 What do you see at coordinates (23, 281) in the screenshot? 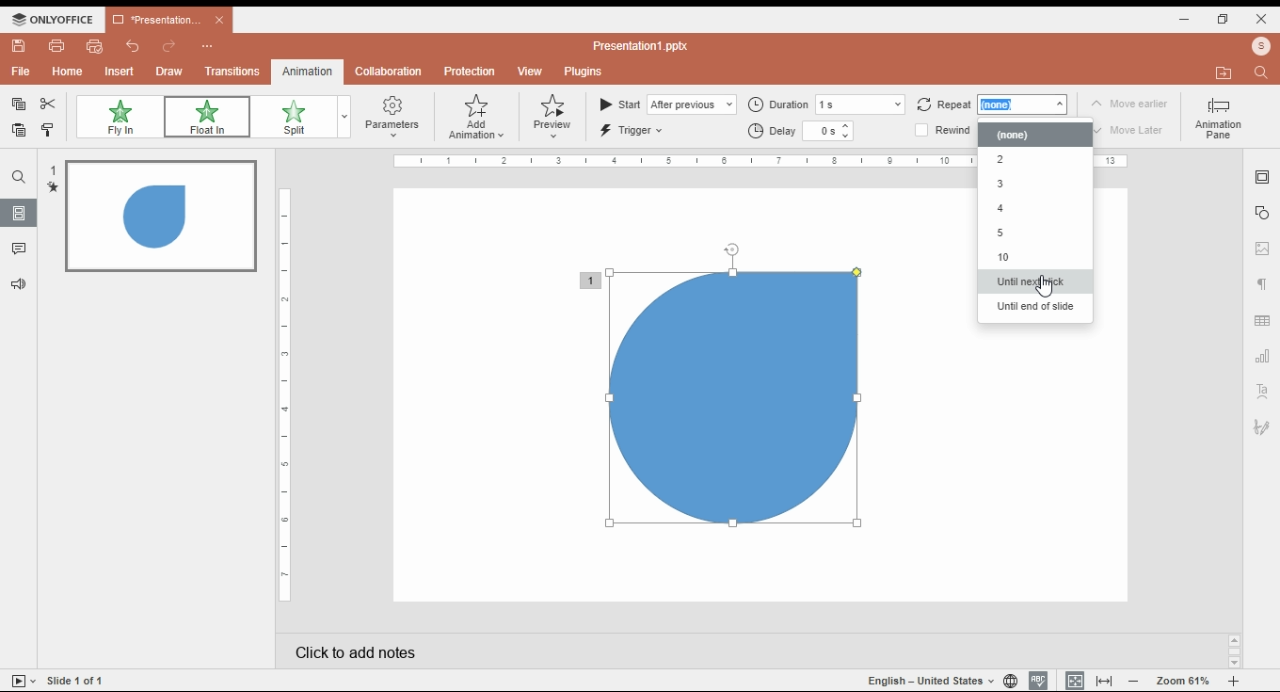
I see `feedback and supportslide ` at bounding box center [23, 281].